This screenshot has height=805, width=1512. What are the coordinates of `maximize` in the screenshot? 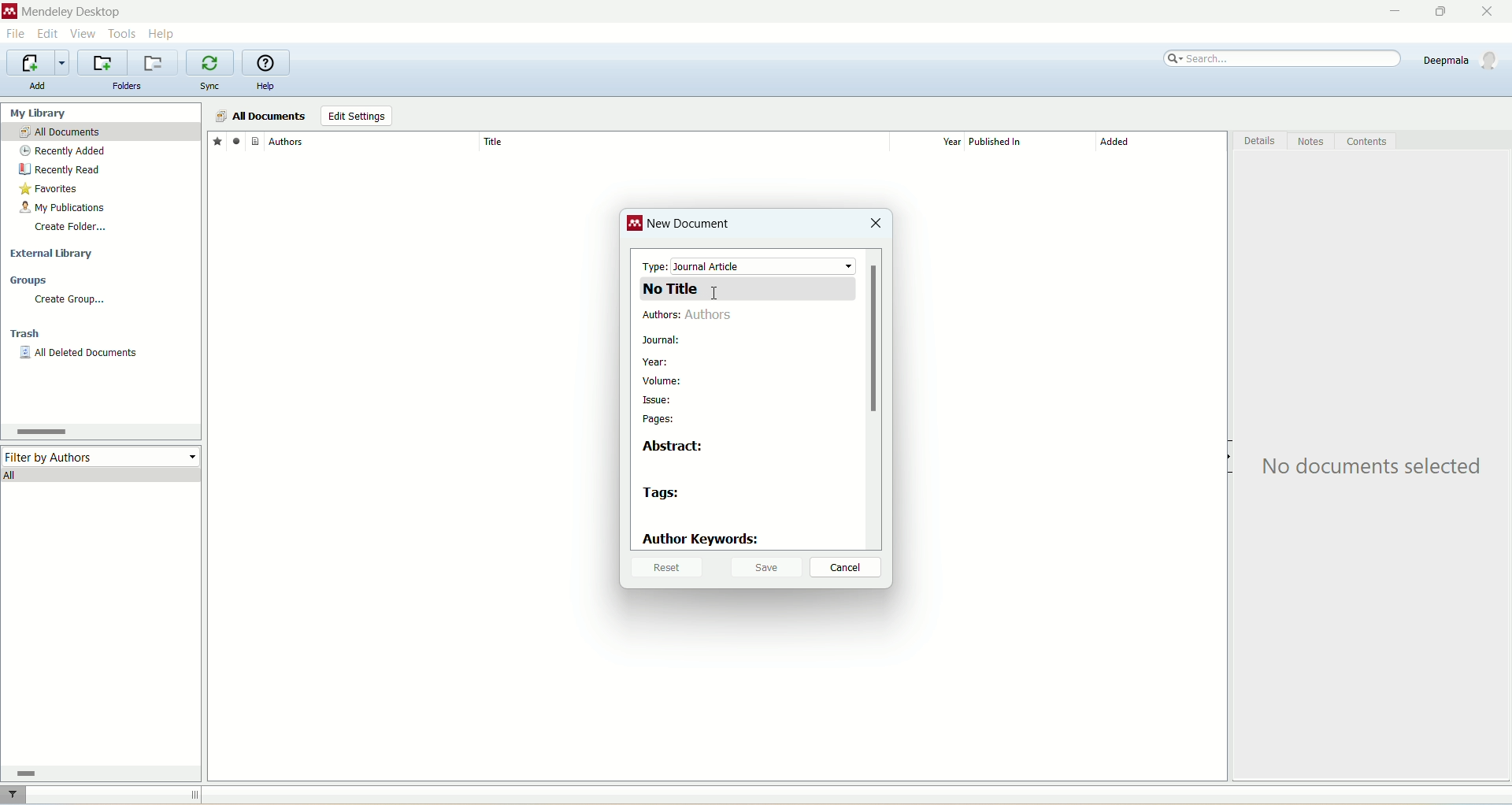 It's located at (1437, 12).